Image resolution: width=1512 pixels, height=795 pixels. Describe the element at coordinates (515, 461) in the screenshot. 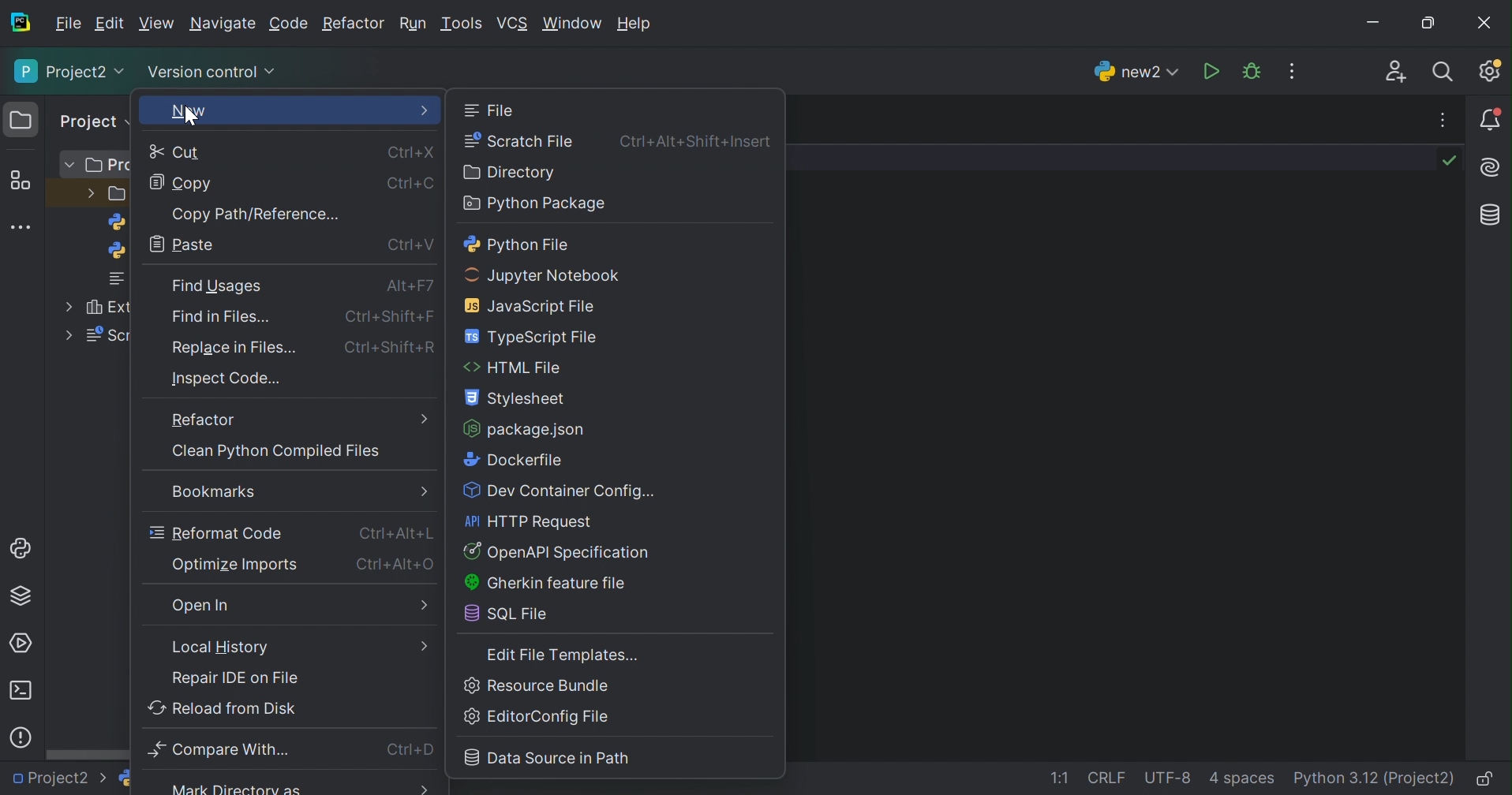

I see `Dockerfile` at that location.